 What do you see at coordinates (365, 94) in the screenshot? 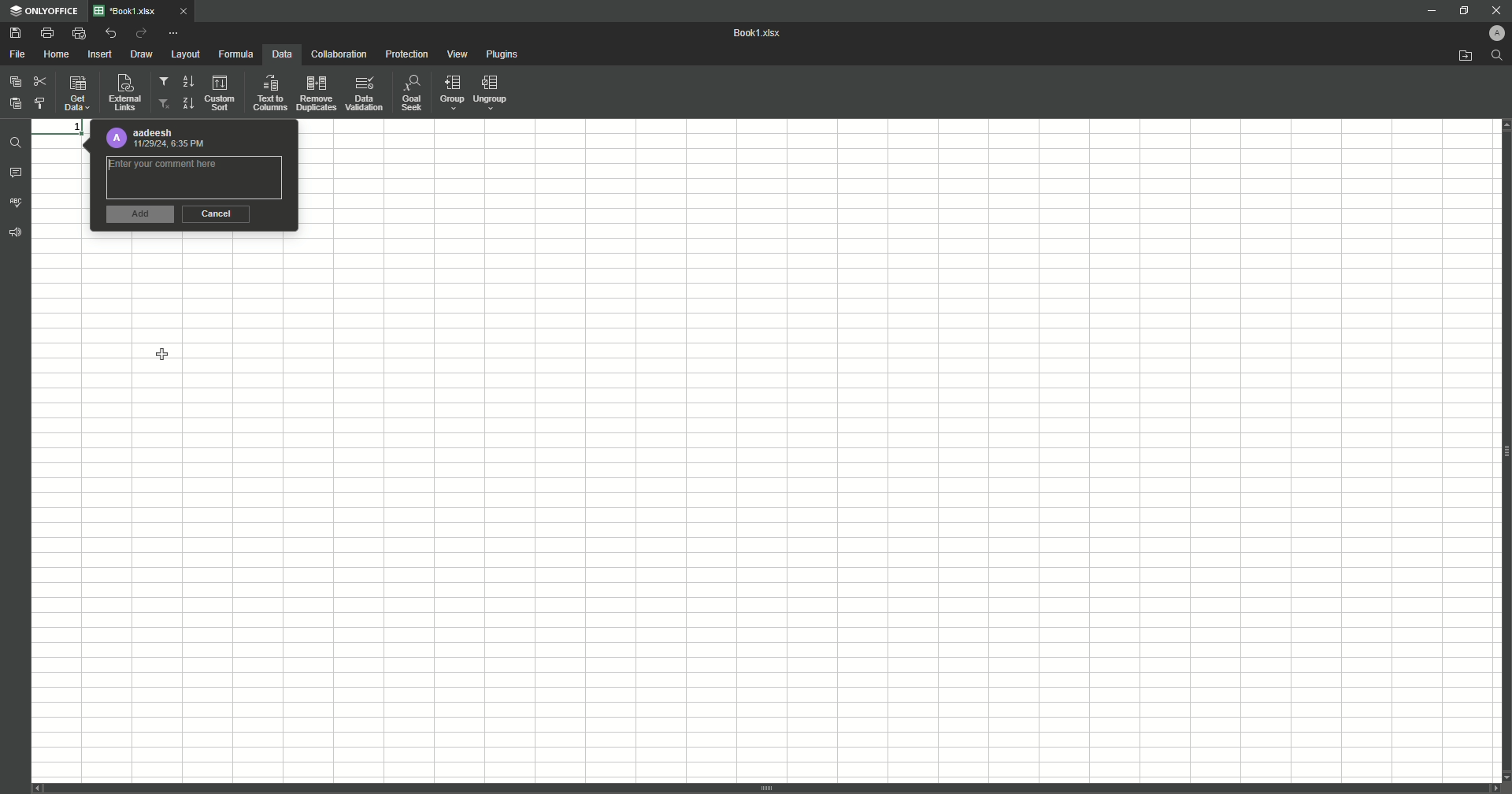
I see `Data Validation` at bounding box center [365, 94].